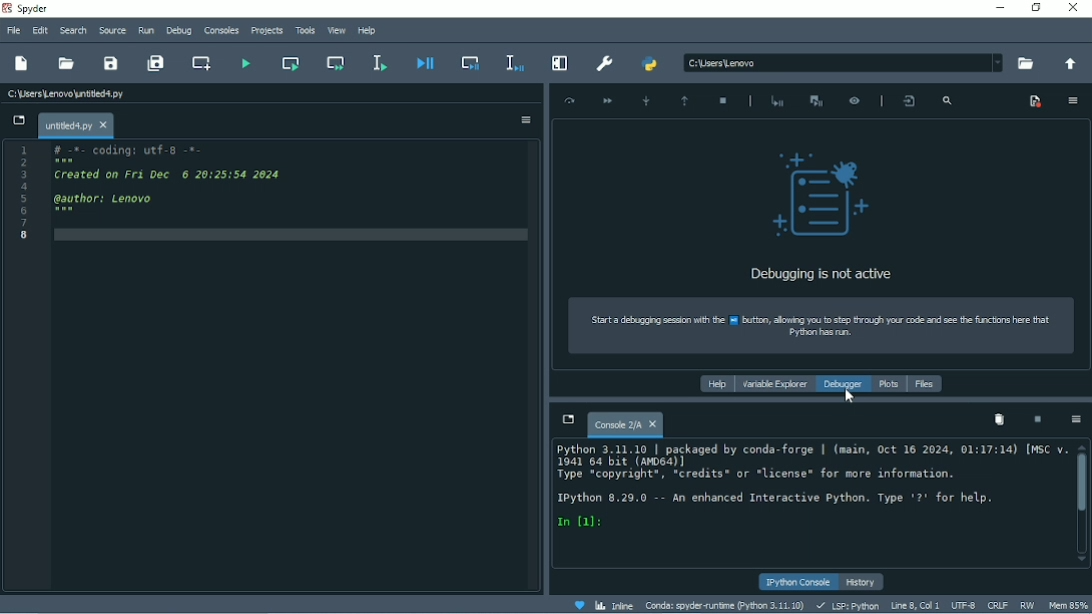 The width and height of the screenshot is (1092, 614). Describe the element at coordinates (570, 100) in the screenshot. I see `Execute current line` at that location.